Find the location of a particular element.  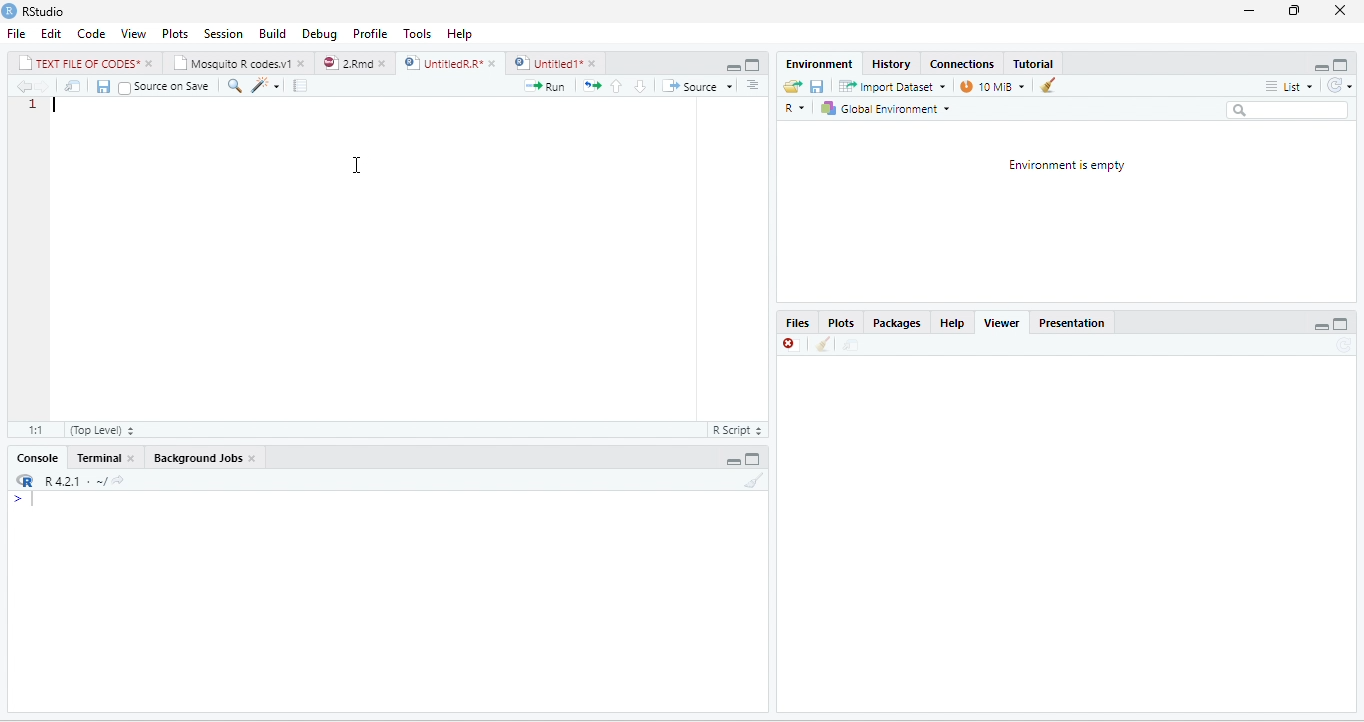

History is located at coordinates (891, 63).